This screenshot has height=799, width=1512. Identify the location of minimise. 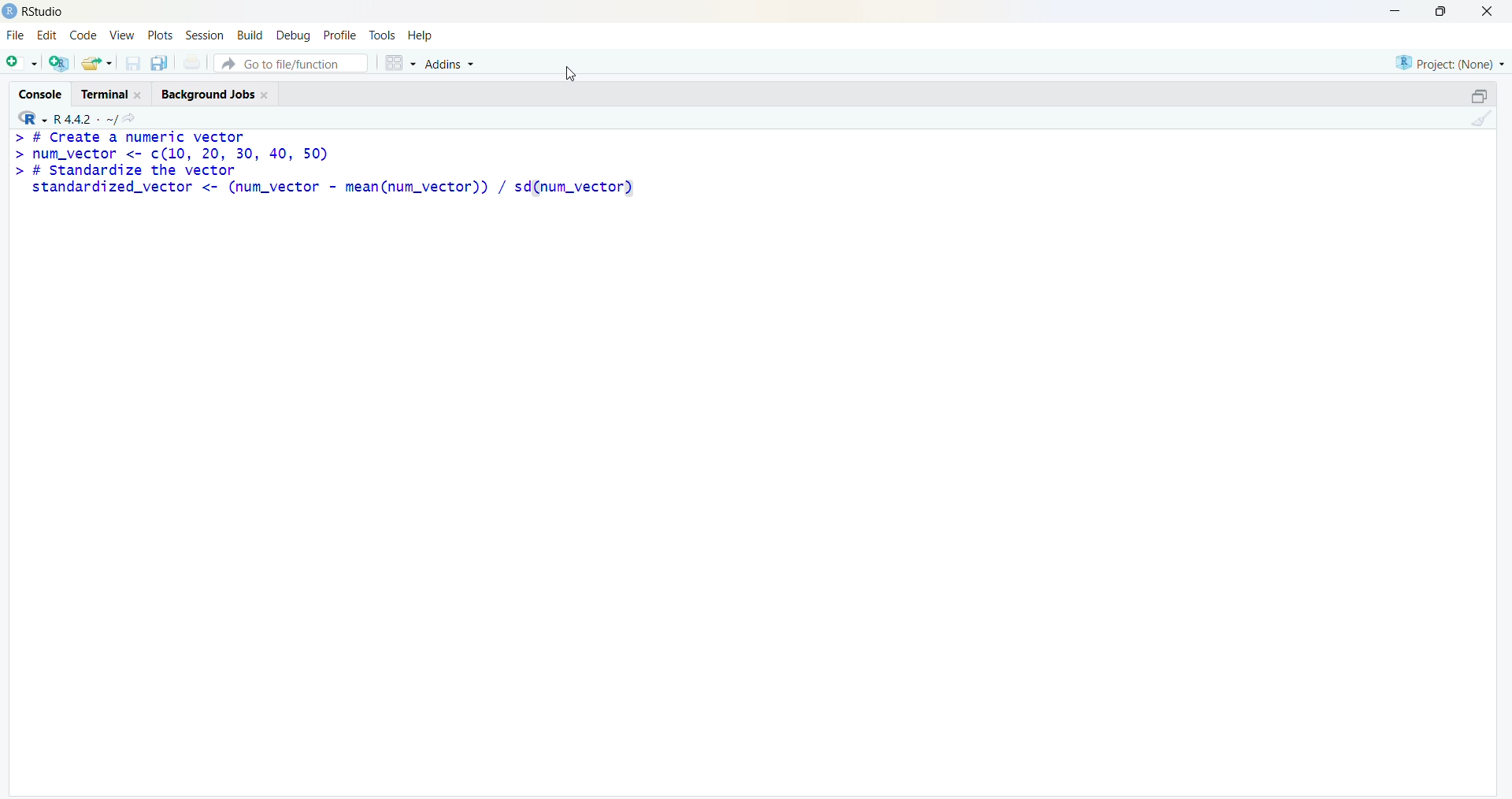
(1397, 11).